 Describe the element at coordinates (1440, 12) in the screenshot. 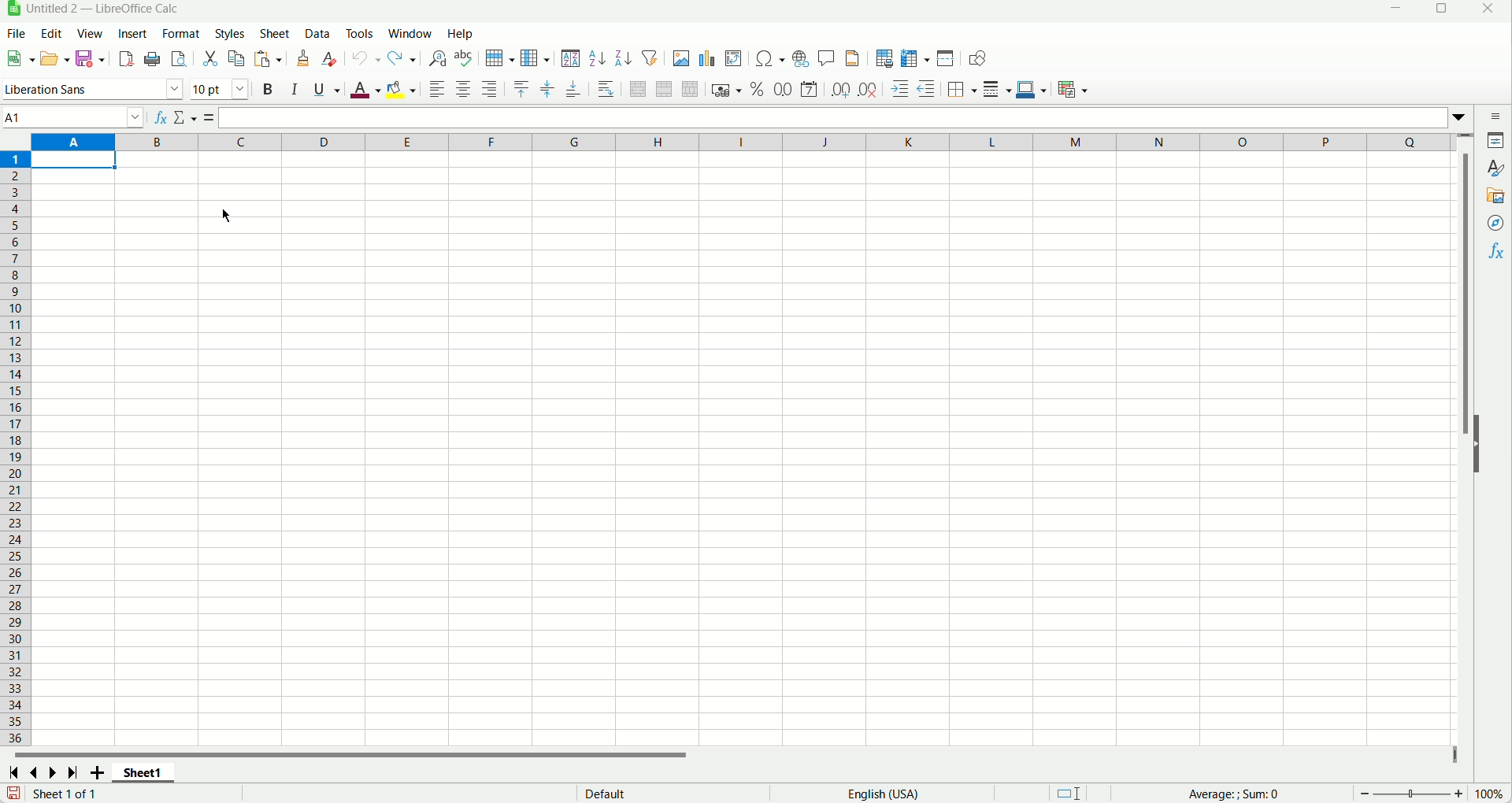

I see `Maximize` at that location.